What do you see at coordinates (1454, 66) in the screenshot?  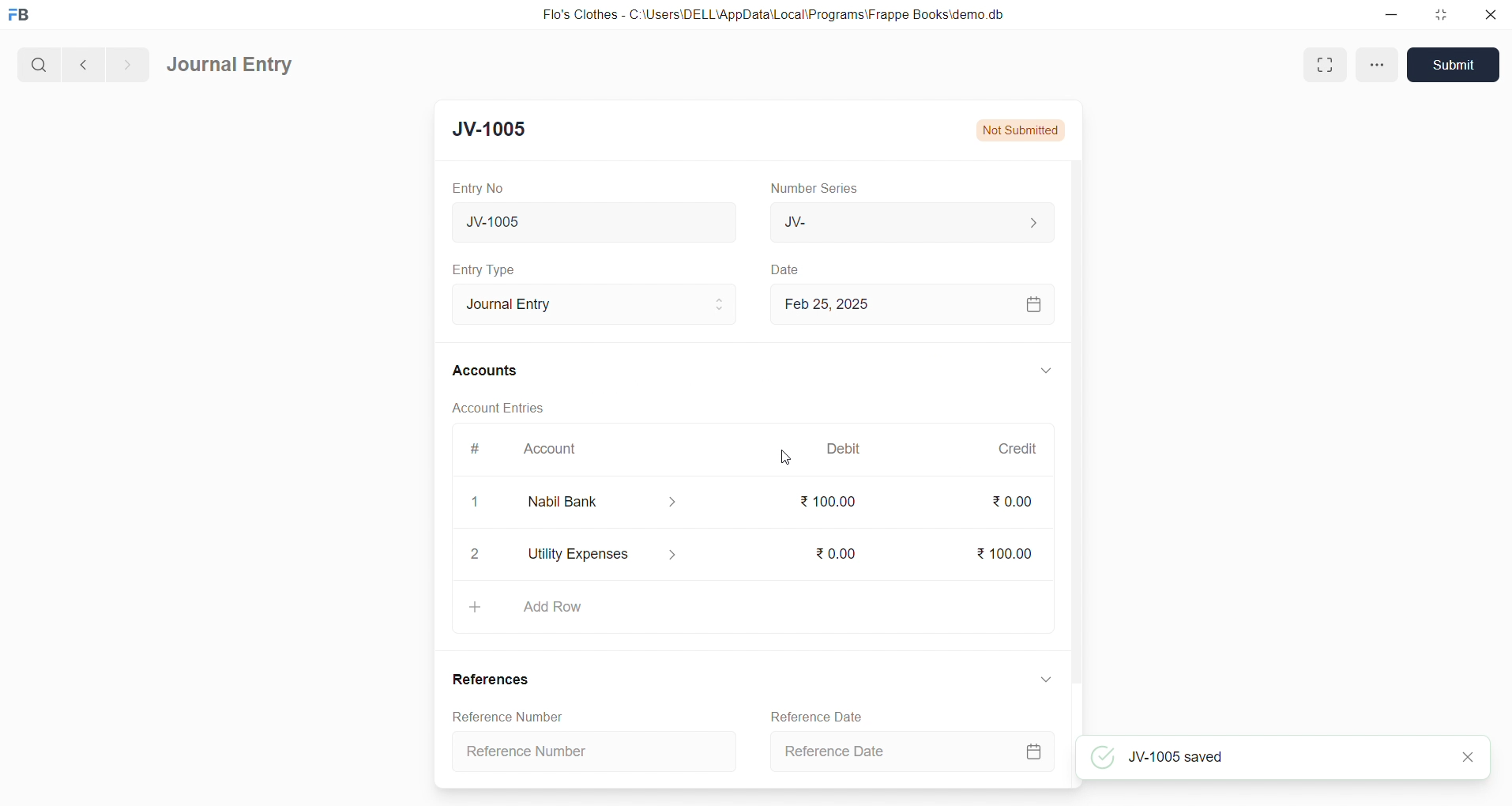 I see `Save` at bounding box center [1454, 66].